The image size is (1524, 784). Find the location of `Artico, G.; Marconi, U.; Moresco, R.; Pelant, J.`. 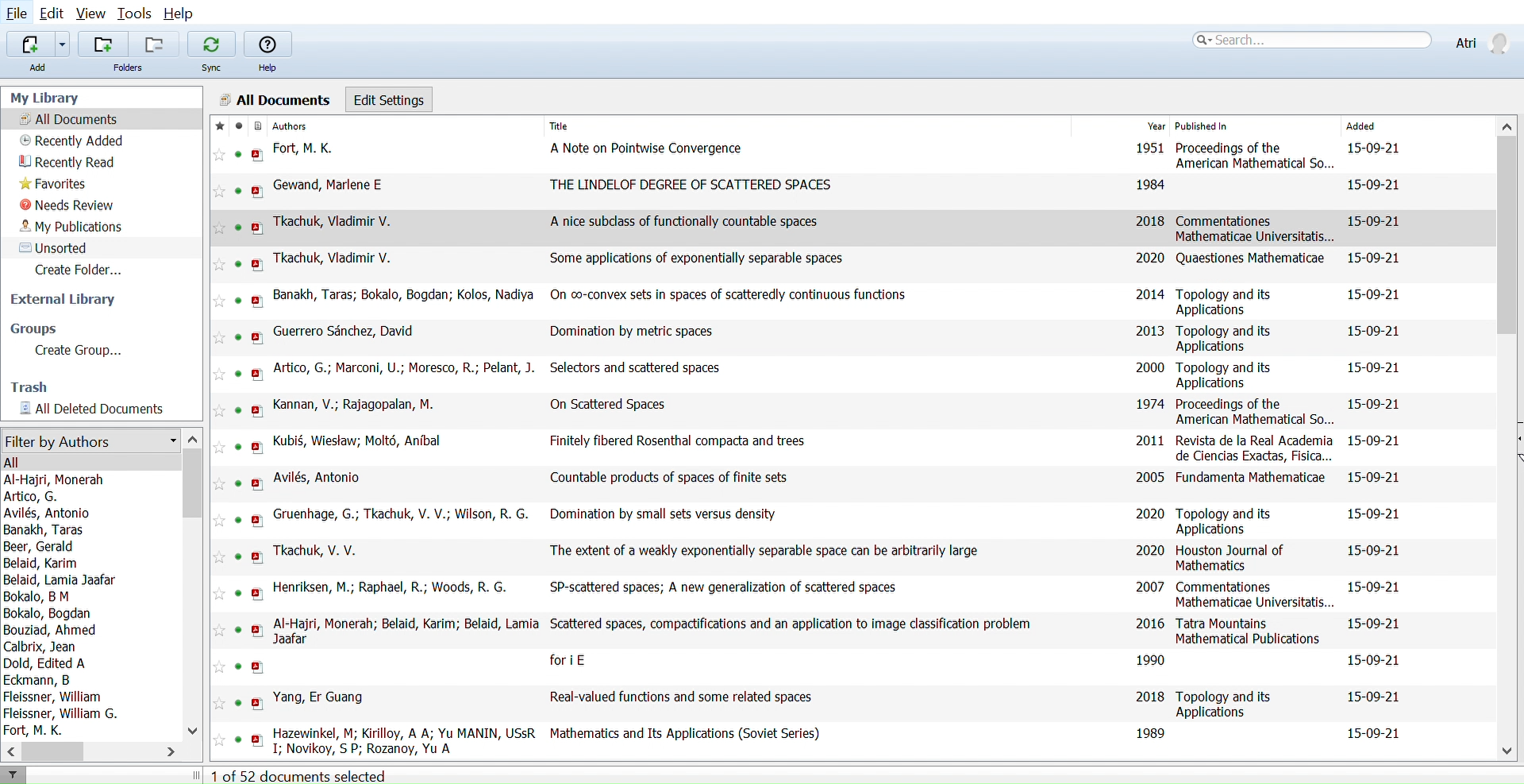

Artico, G.; Marconi, U.; Moresco, R.; Pelant, J. is located at coordinates (403, 367).